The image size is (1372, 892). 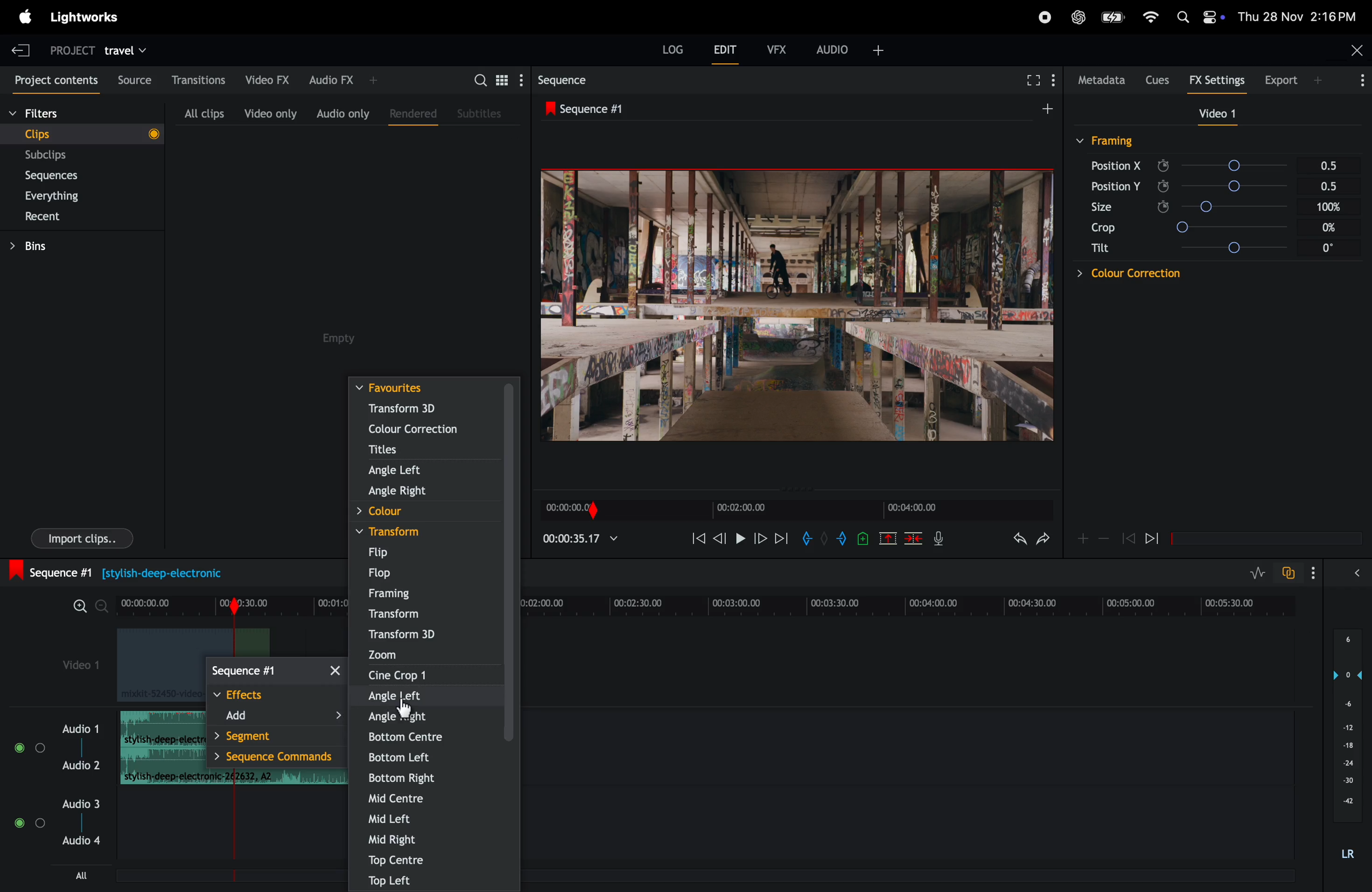 I want to click on cine crop, so click(x=425, y=675).